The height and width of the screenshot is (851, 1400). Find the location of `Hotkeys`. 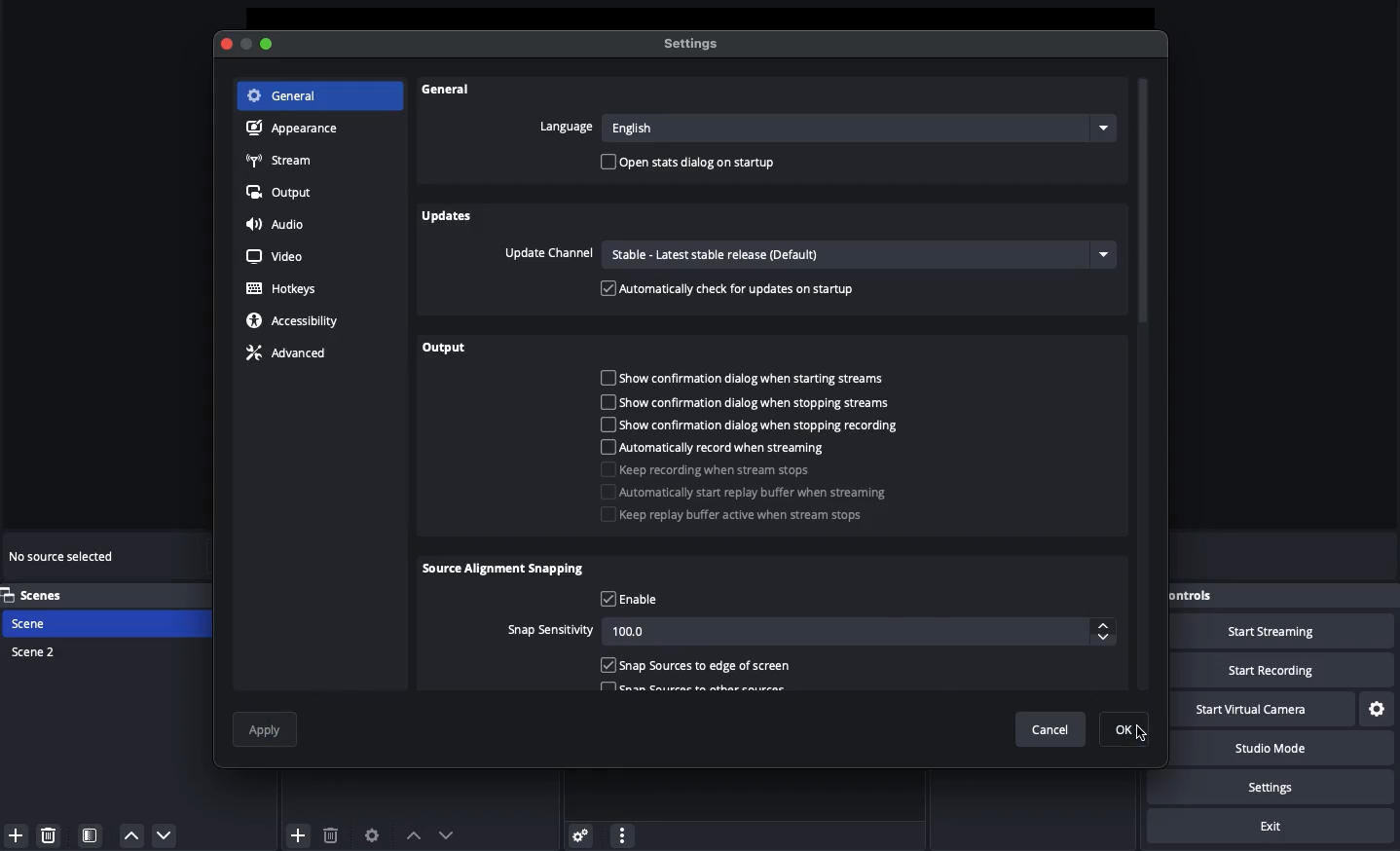

Hotkeys is located at coordinates (283, 289).